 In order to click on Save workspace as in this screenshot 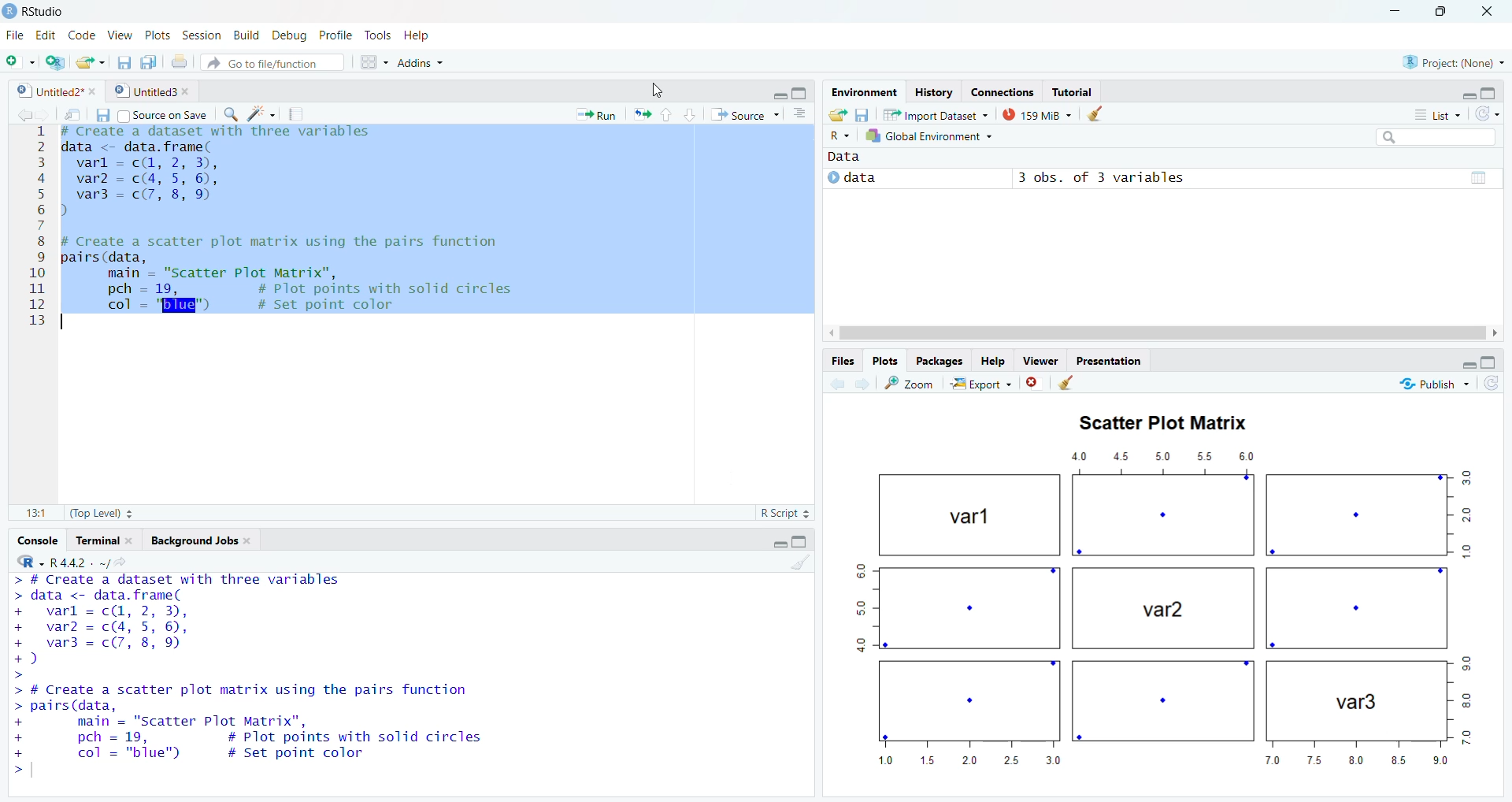, I will do `click(866, 113)`.